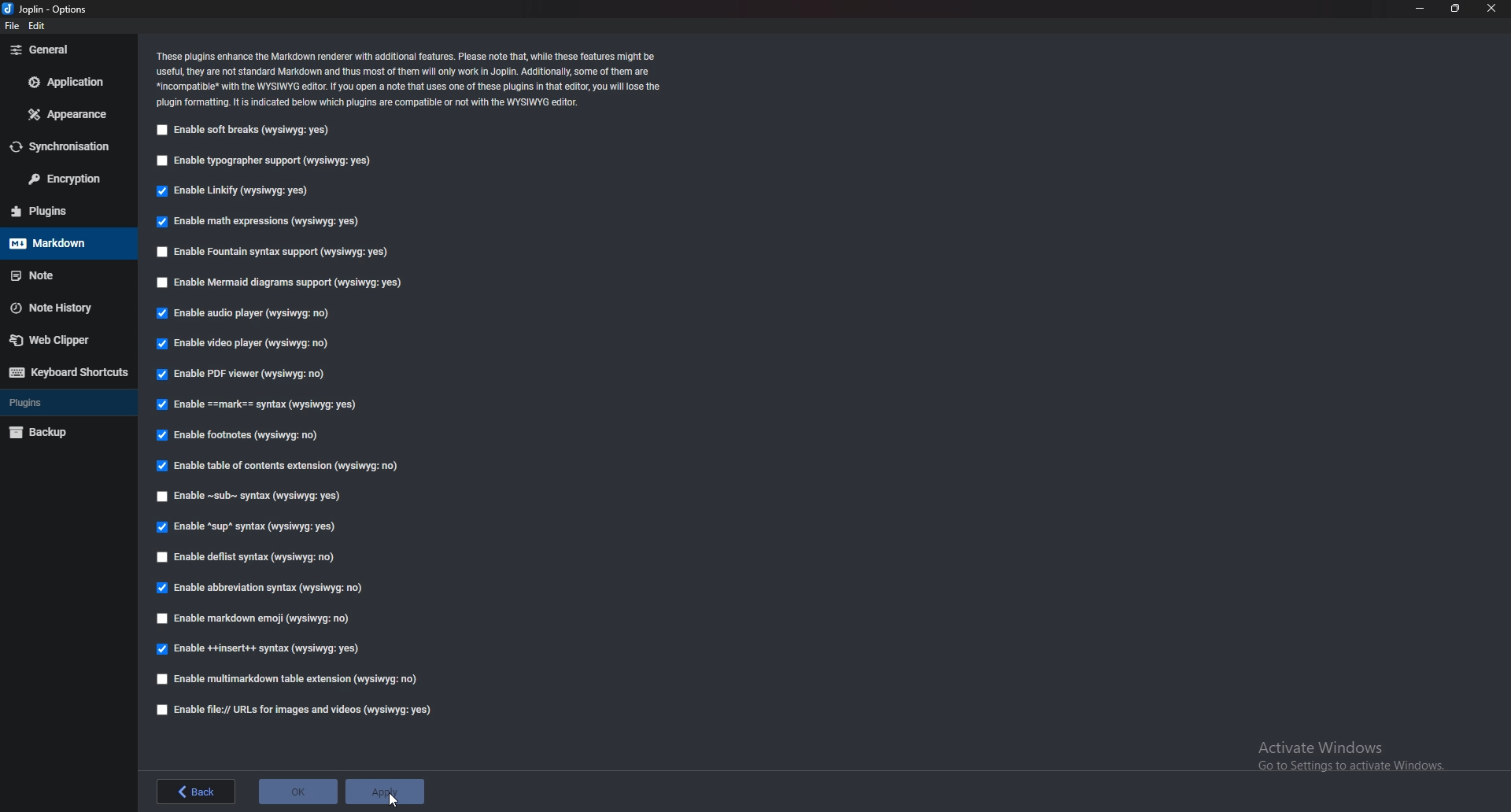 Image resolution: width=1511 pixels, height=812 pixels. I want to click on Enable fountain syntax support, so click(283, 253).